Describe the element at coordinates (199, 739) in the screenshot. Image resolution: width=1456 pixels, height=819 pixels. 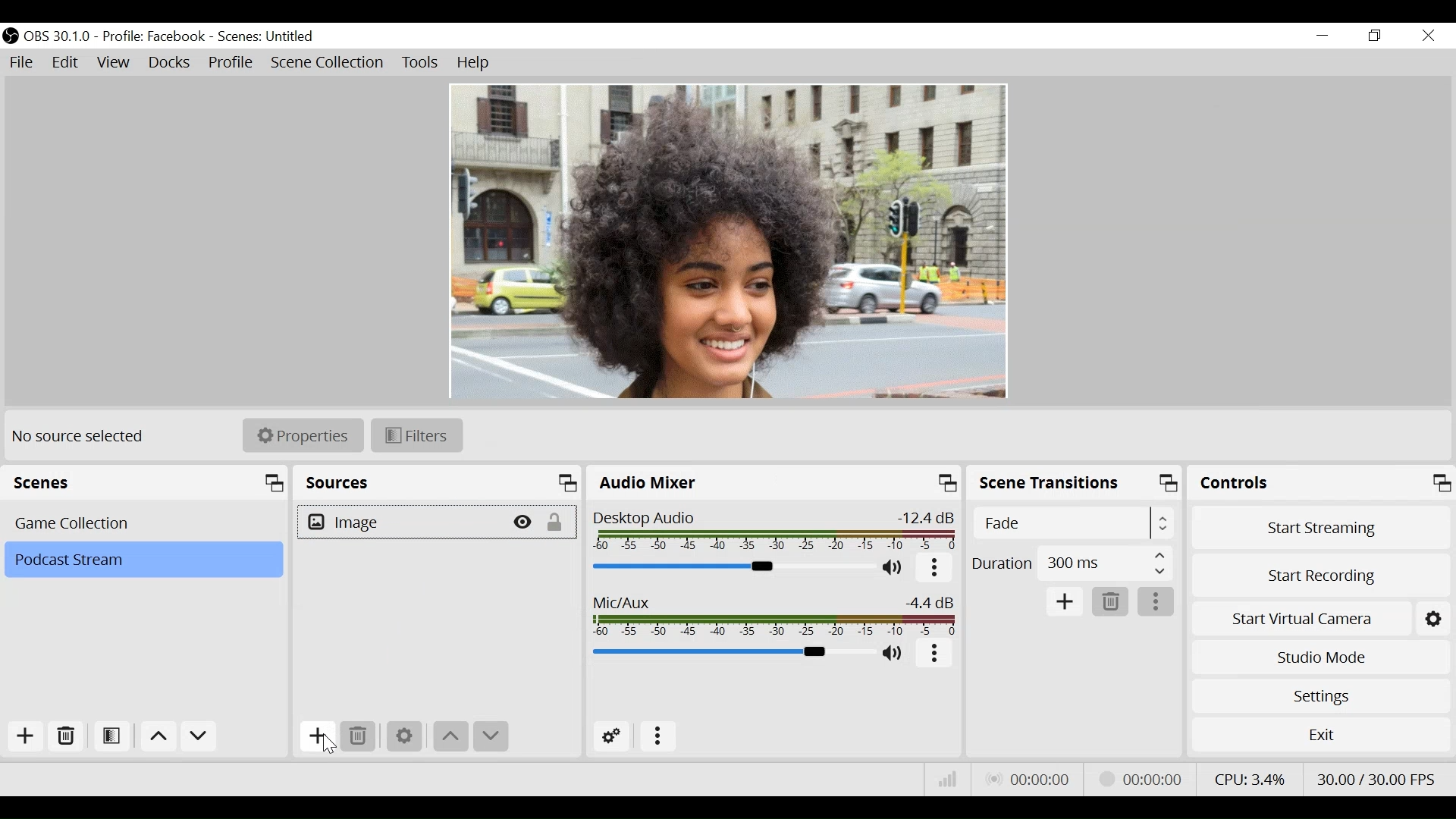
I see `Move Down` at that location.